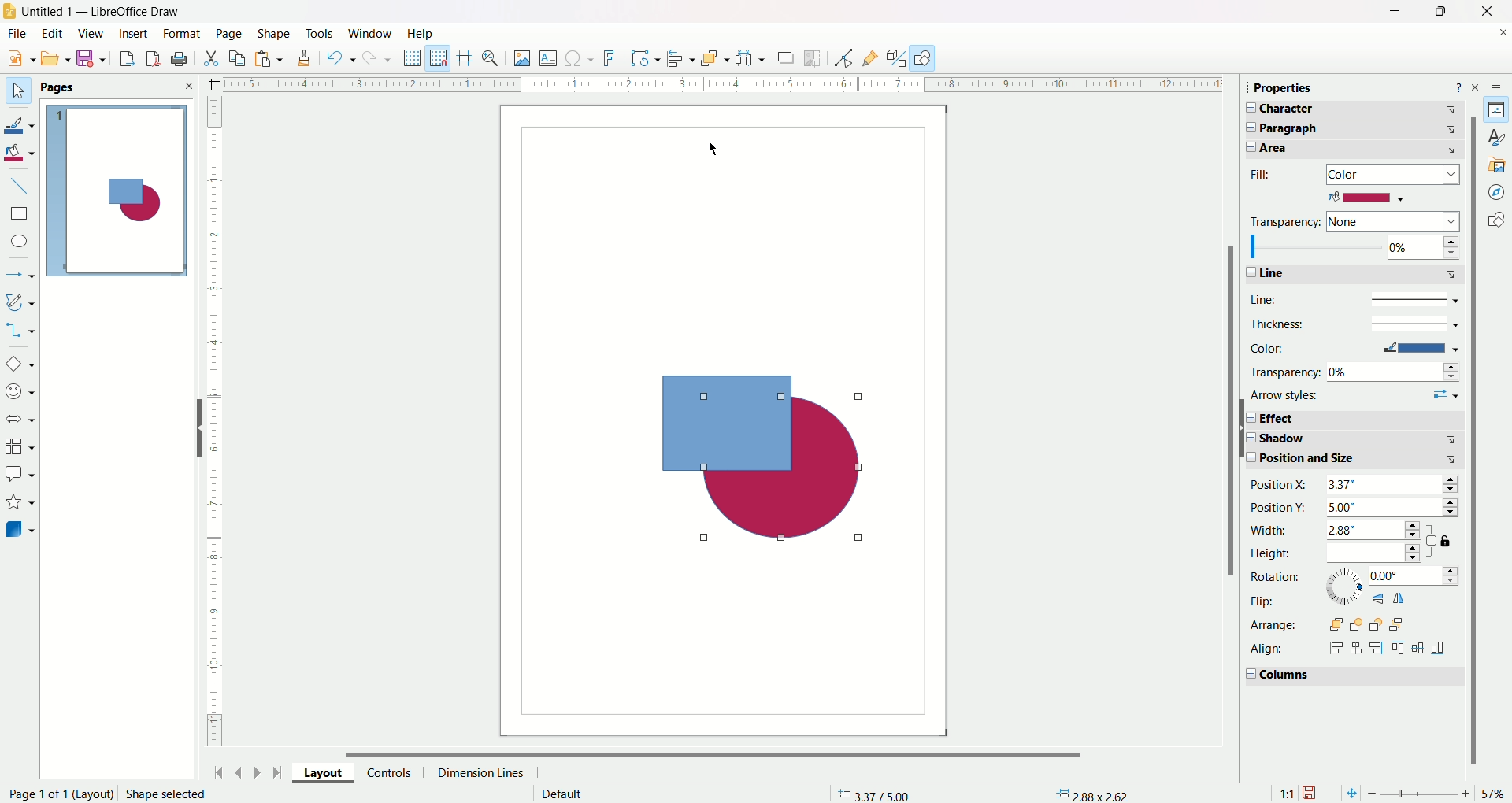 This screenshot has width=1512, height=803. I want to click on file, so click(19, 34).